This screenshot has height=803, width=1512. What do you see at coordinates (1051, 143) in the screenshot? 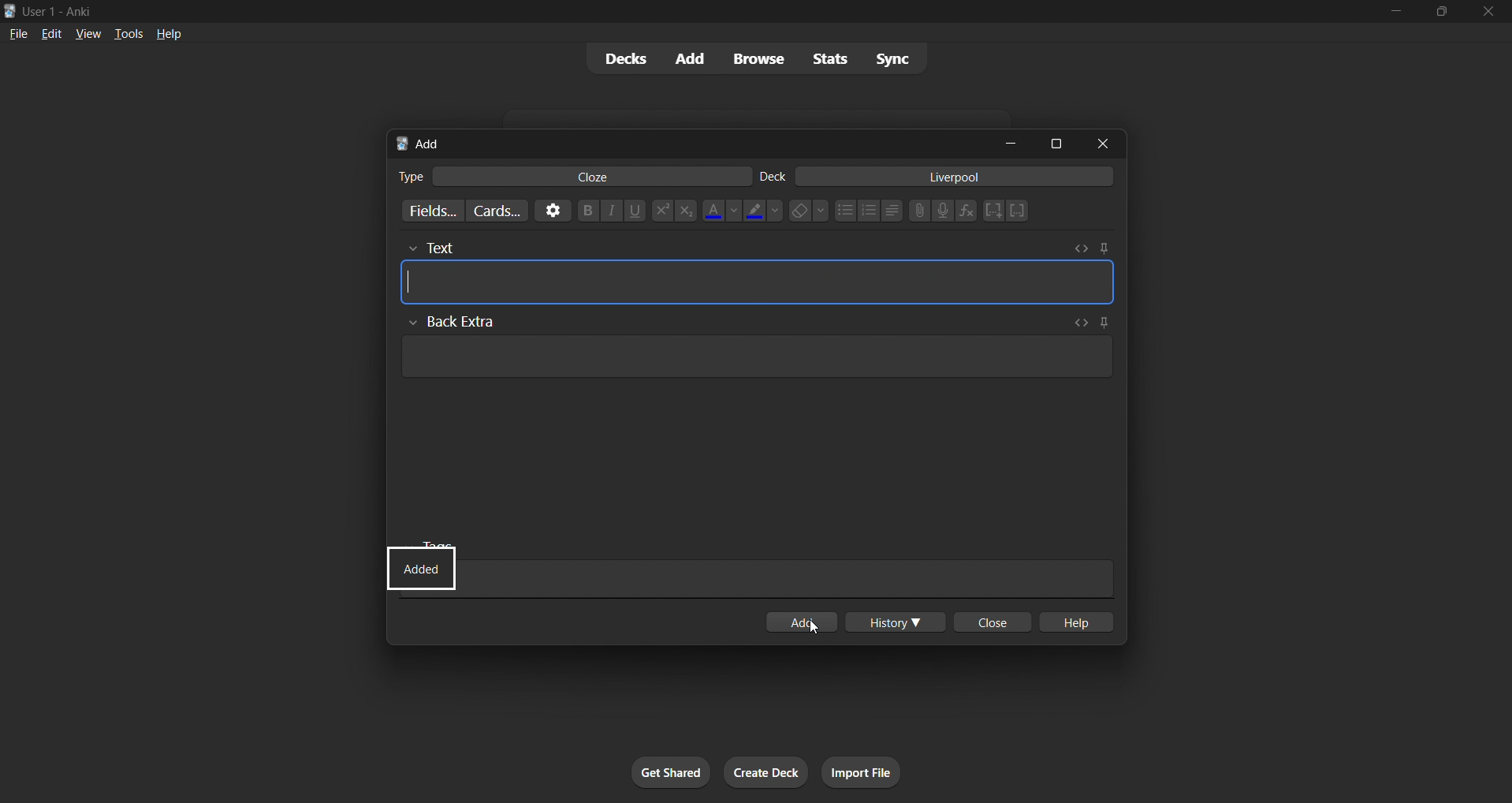
I see `maximize` at bounding box center [1051, 143].